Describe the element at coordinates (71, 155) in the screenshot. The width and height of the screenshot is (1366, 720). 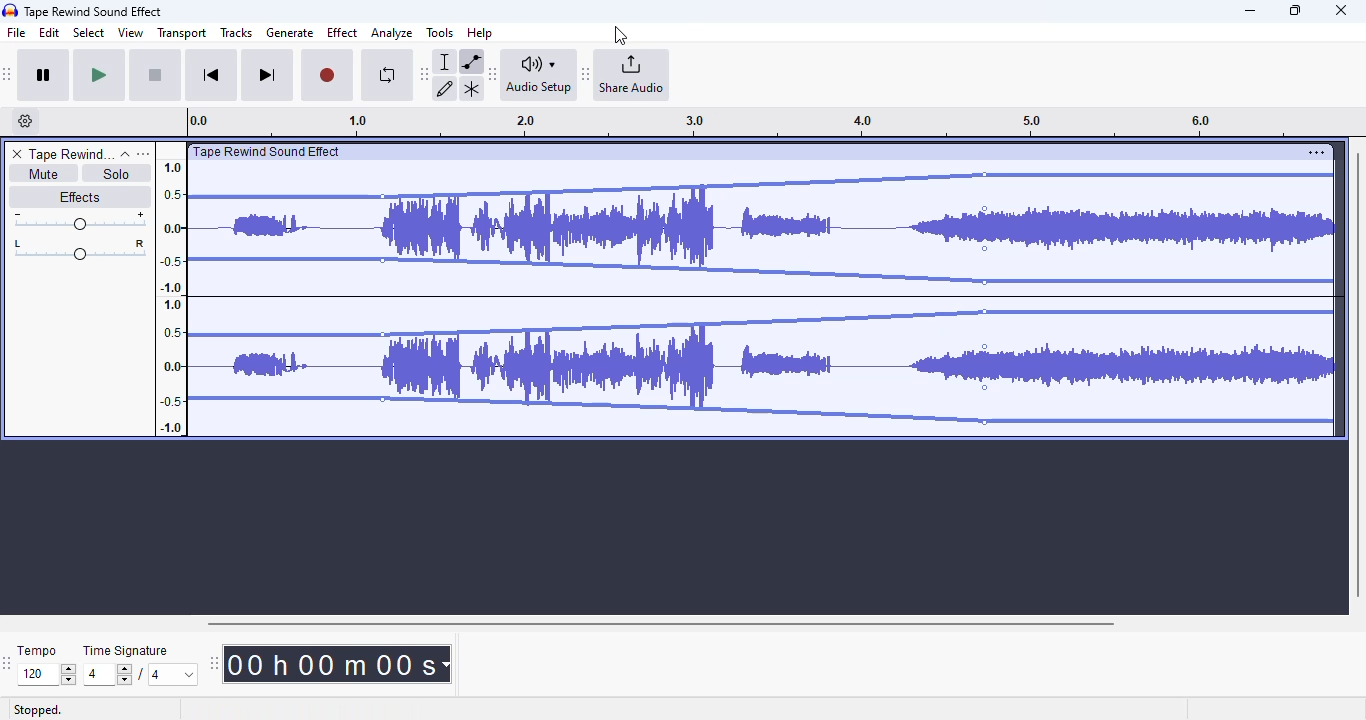
I see `track name` at that location.